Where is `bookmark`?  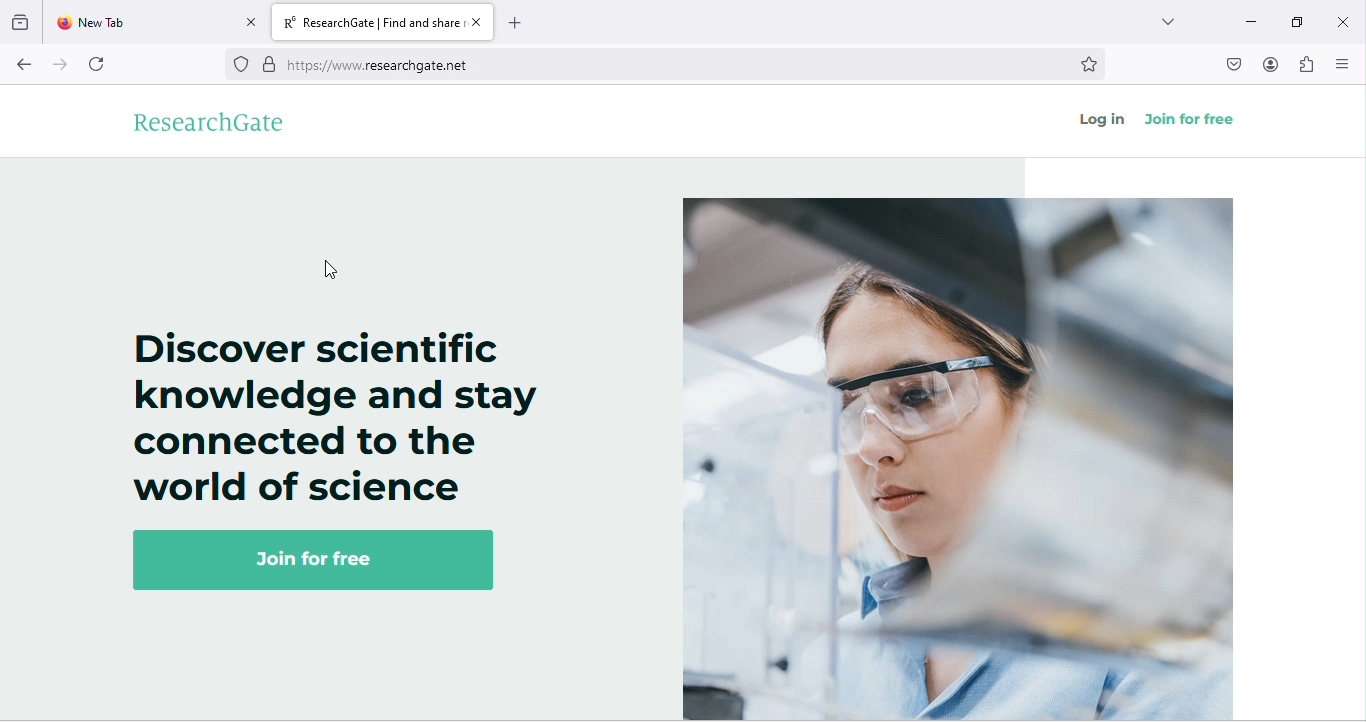 bookmark is located at coordinates (1093, 64).